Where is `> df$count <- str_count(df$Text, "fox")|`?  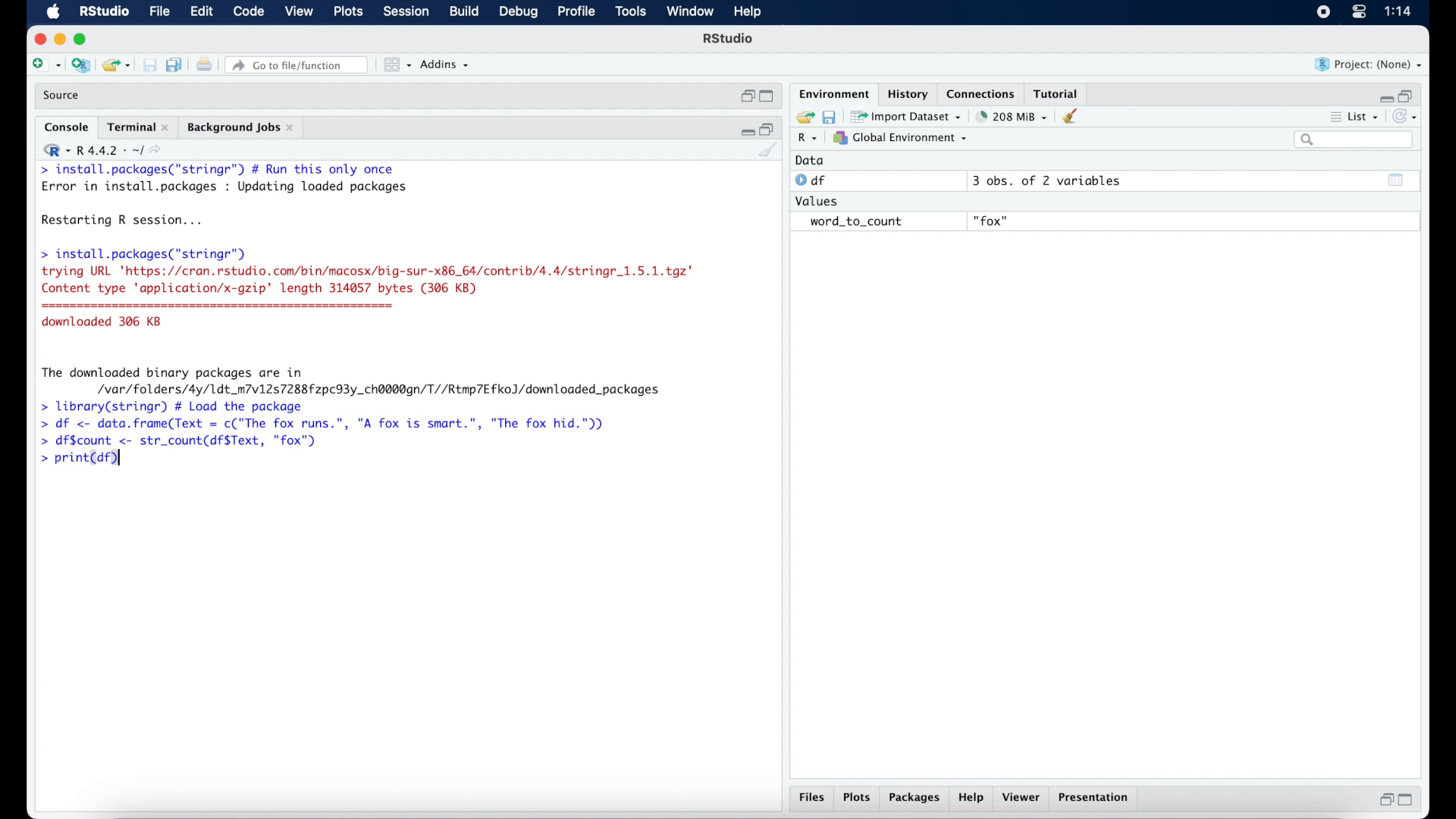
> df$count <- str_count(df$Text, "fox")| is located at coordinates (184, 441).